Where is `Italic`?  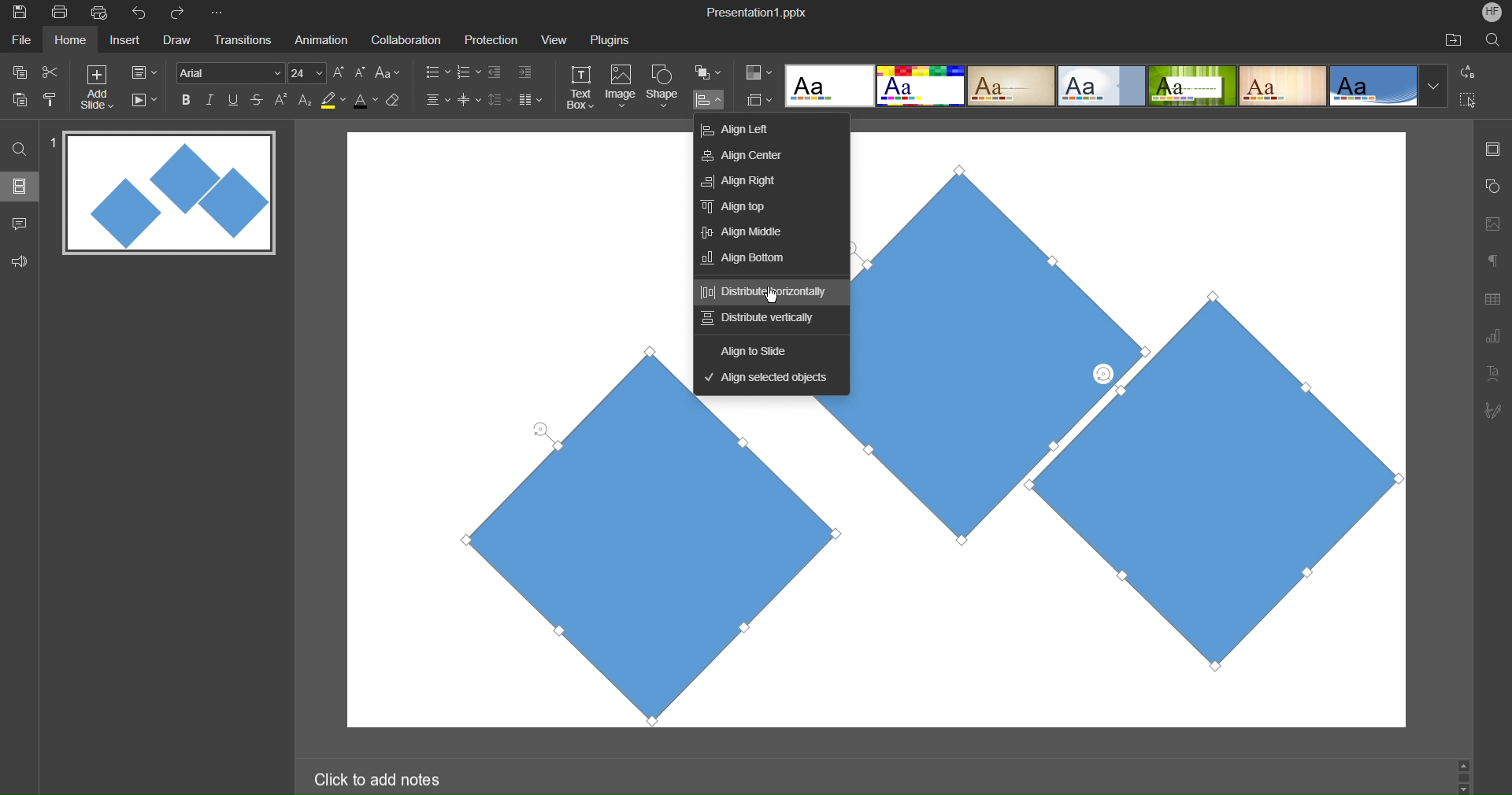 Italic is located at coordinates (209, 100).